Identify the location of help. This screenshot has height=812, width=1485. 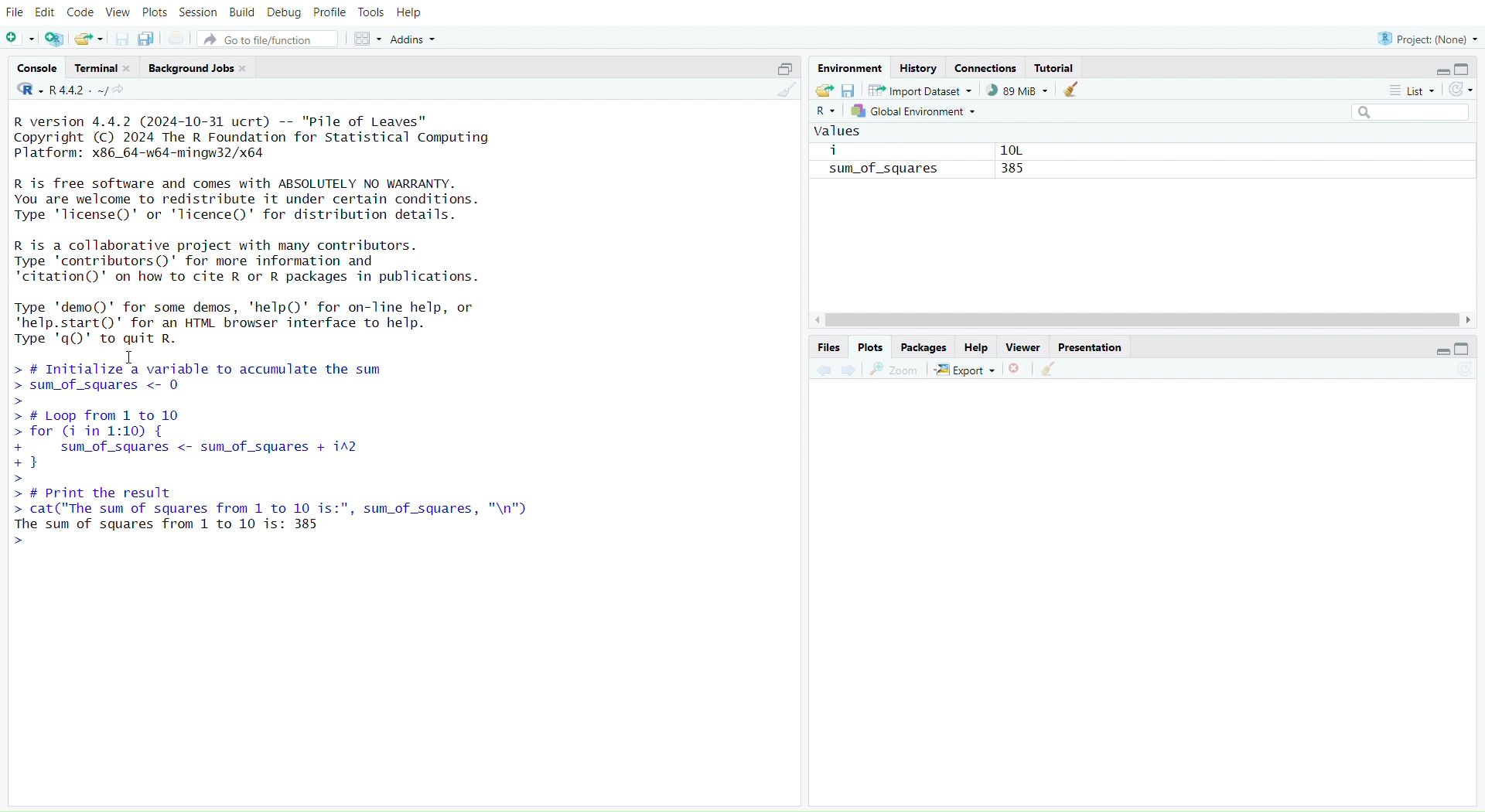
(976, 347).